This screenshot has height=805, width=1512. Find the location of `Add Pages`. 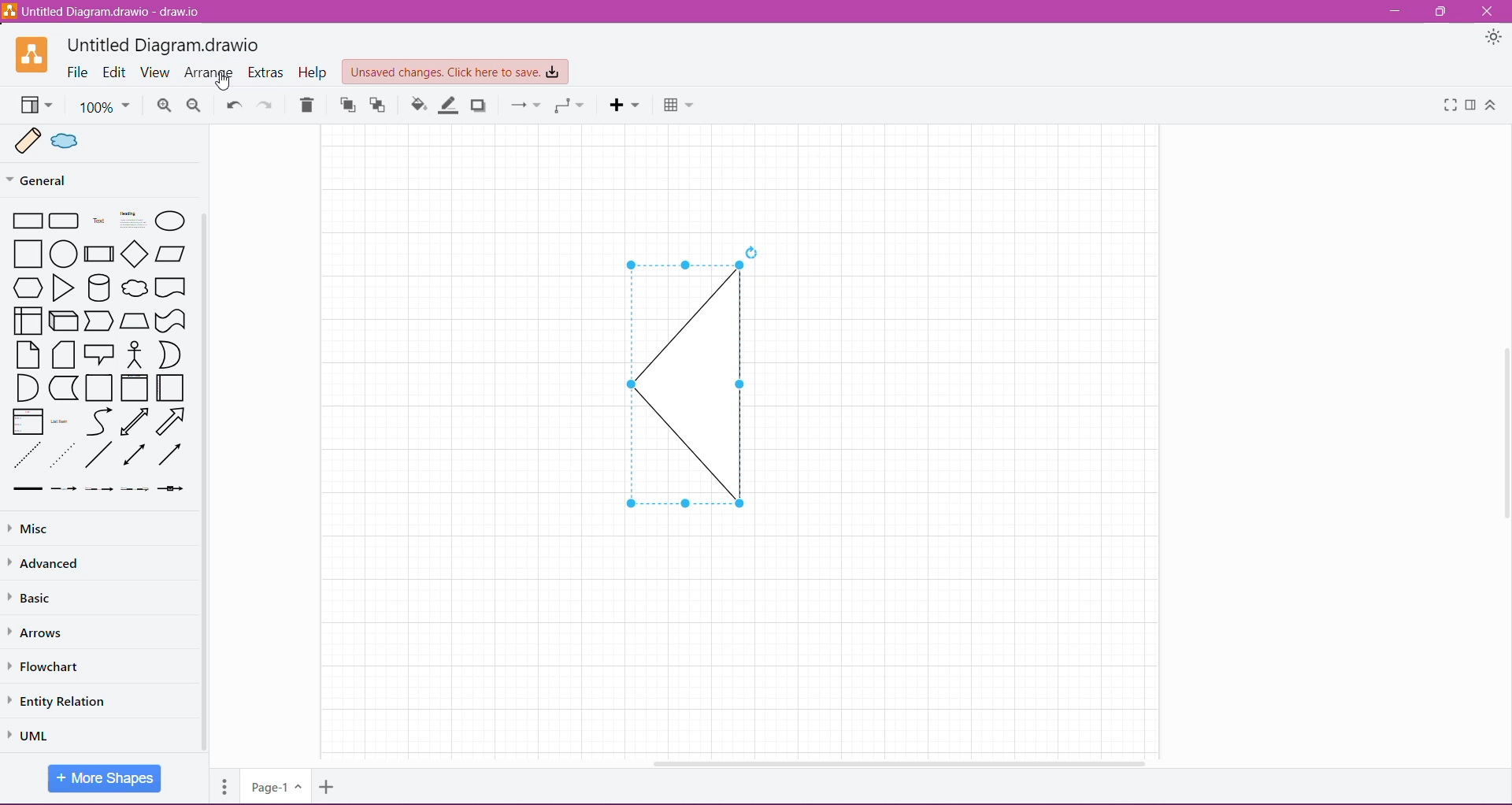

Add Pages is located at coordinates (327, 787).